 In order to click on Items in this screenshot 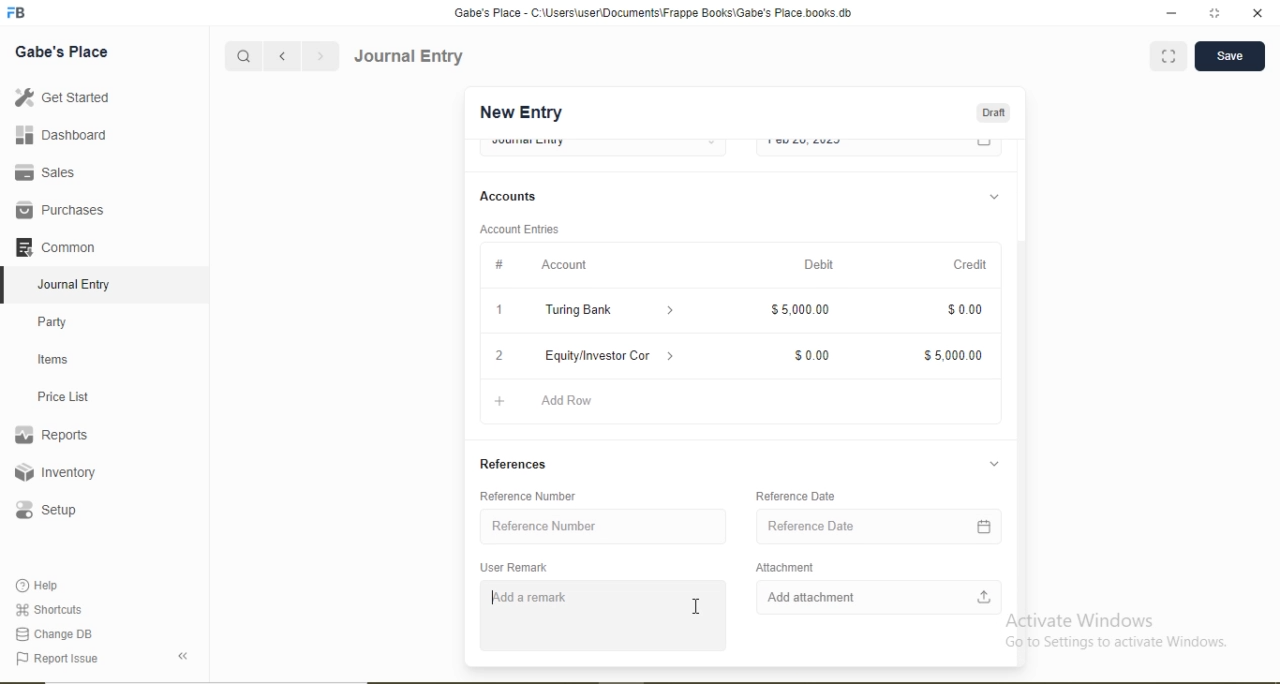, I will do `click(53, 359)`.